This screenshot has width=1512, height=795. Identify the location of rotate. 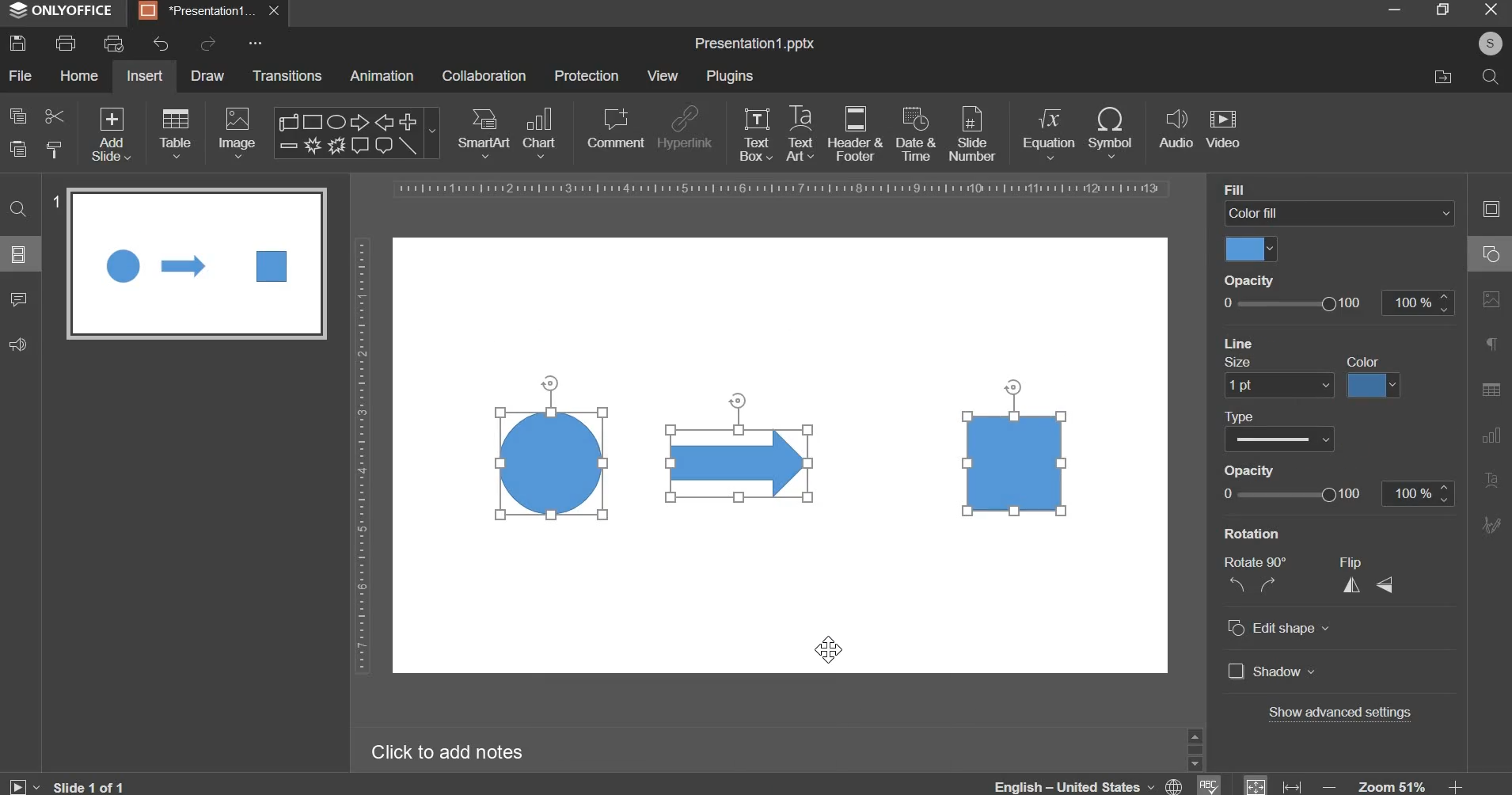
(1011, 384).